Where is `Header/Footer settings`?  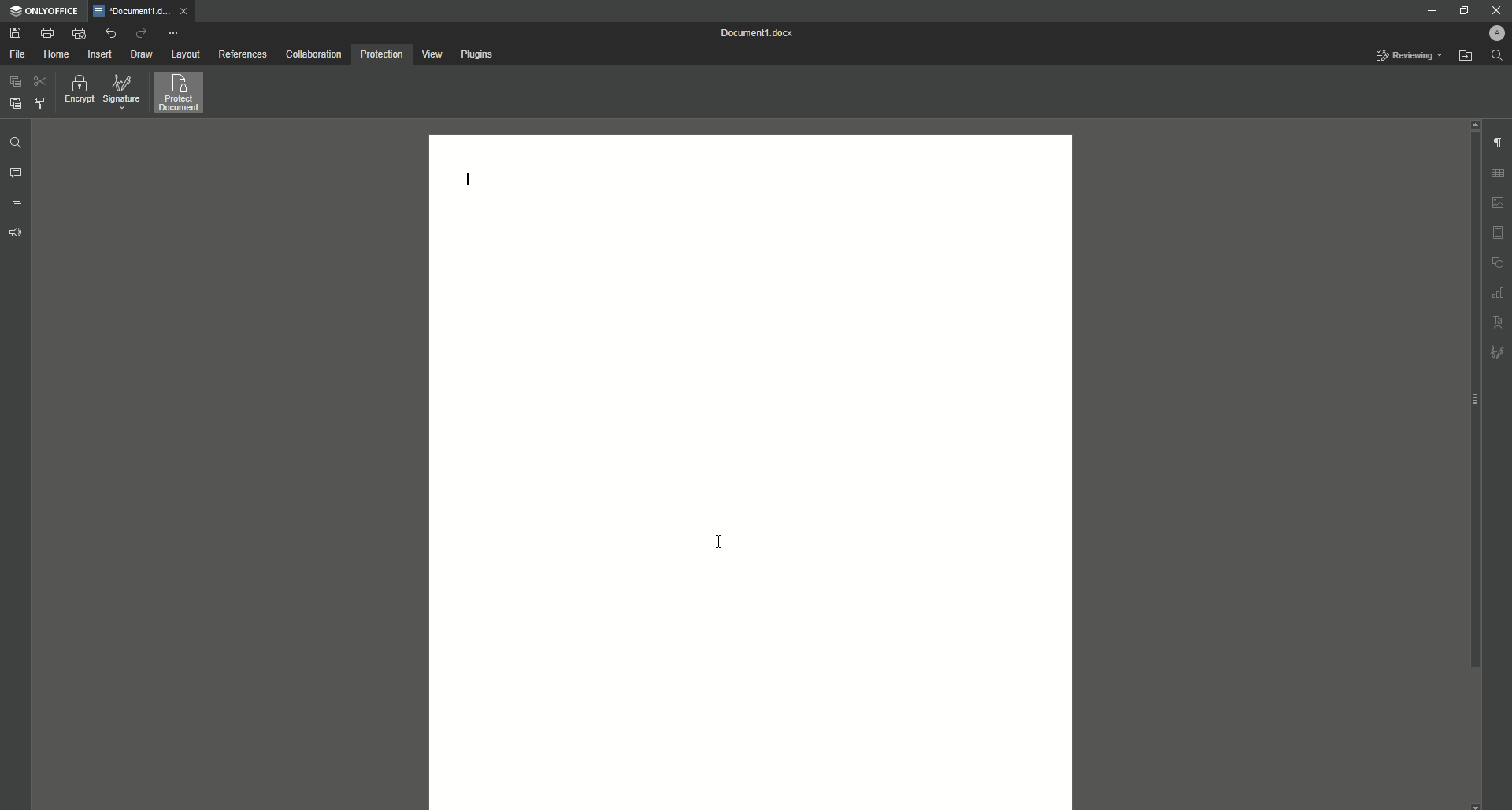 Header/Footer settings is located at coordinates (1499, 232).